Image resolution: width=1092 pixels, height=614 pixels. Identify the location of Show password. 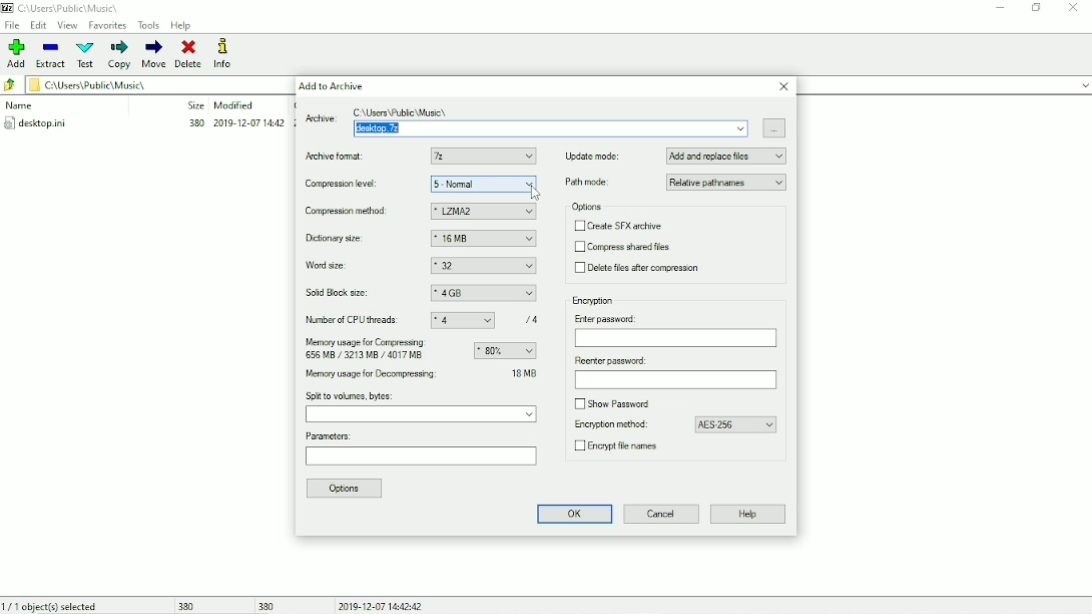
(616, 404).